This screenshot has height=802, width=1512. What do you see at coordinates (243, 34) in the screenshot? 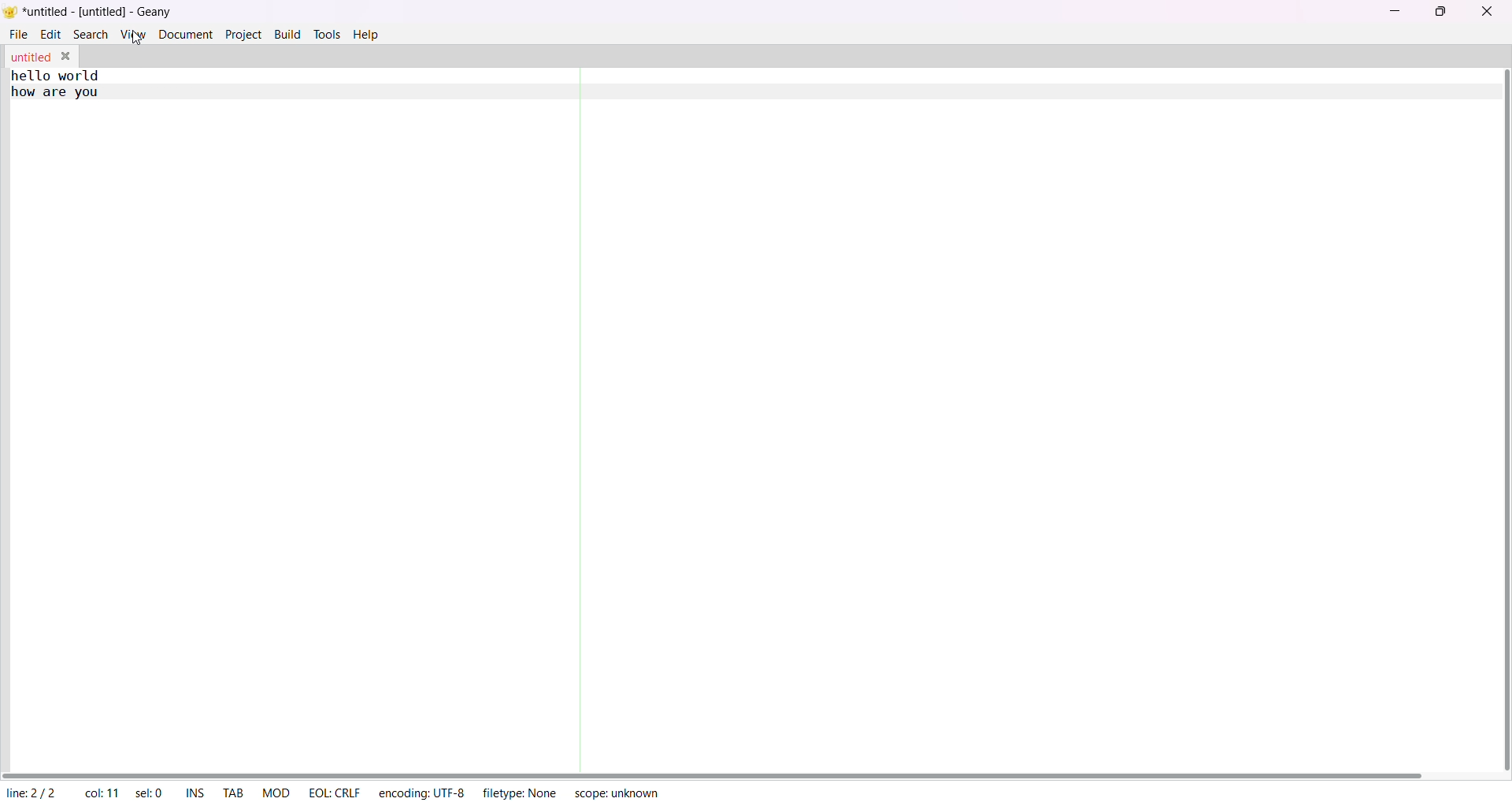
I see `project` at bounding box center [243, 34].